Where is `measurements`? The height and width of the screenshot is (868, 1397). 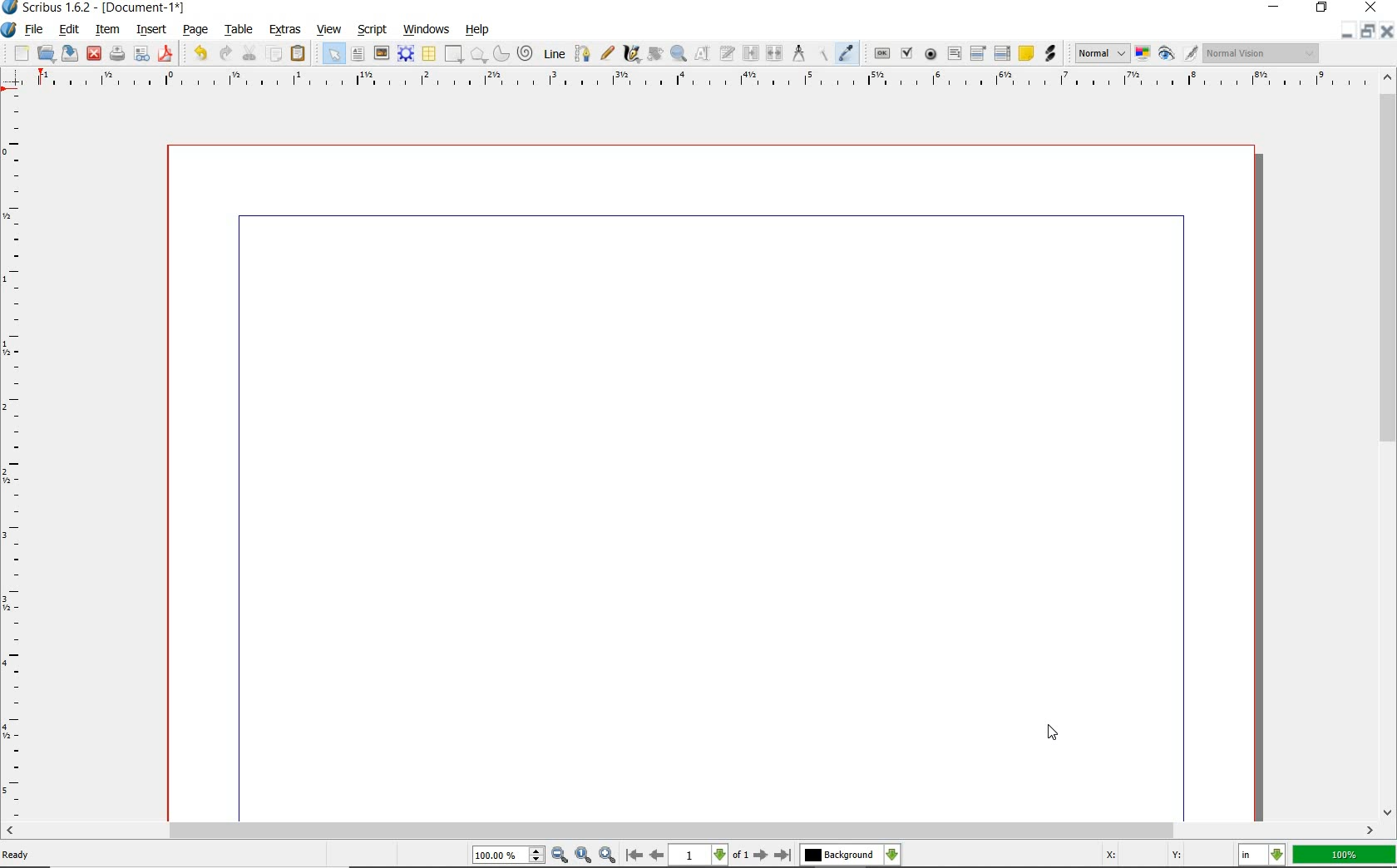
measurements is located at coordinates (801, 55).